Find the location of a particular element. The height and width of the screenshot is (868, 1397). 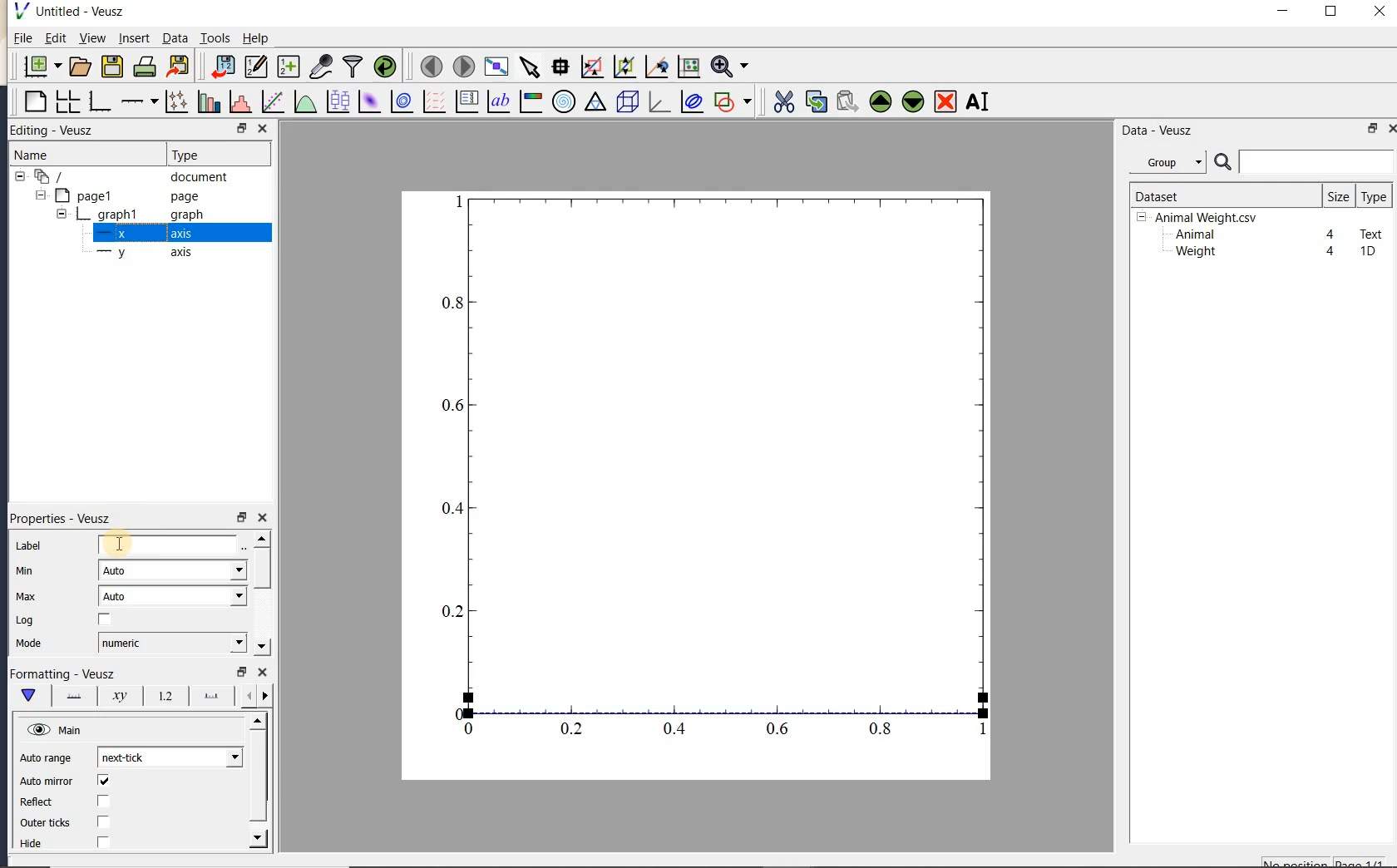

Help is located at coordinates (255, 38).